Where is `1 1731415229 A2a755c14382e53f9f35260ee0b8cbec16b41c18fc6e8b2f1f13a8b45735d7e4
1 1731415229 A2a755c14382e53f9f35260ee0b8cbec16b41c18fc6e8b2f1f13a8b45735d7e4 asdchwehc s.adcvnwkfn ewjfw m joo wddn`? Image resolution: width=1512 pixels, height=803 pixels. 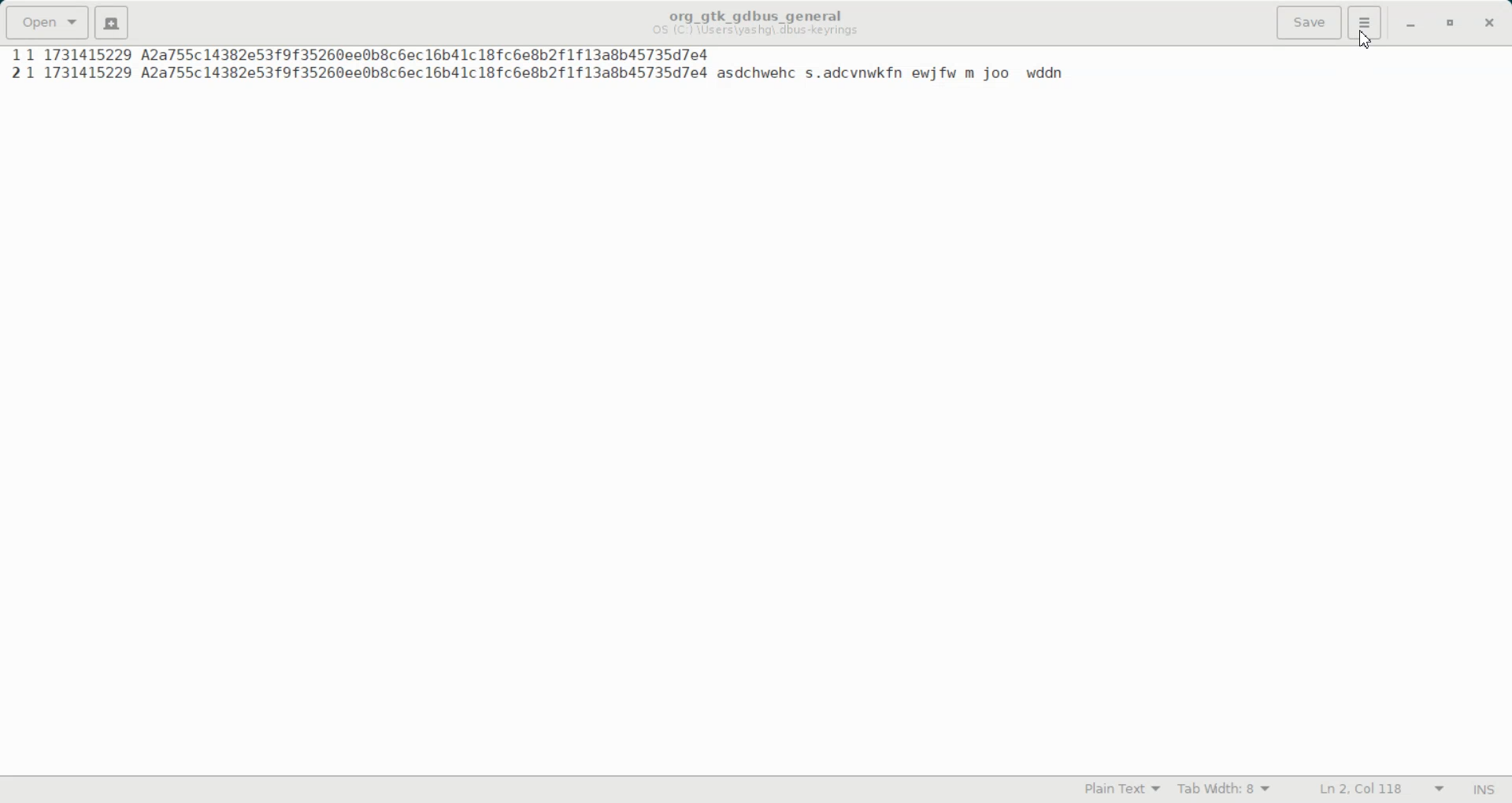
1 1731415229 A2a755c14382e53f9f35260ee0b8cbec16b41c18fc6e8b2f1f13a8b45735d7e4
1 1731415229 A2a755c14382e53f9f35260ee0b8cbec16b41c18fc6e8b2f1f13a8b45735d7e4 asdchwehc s.adcvnwkfn ewjfw m joo wddn is located at coordinates (547, 67).